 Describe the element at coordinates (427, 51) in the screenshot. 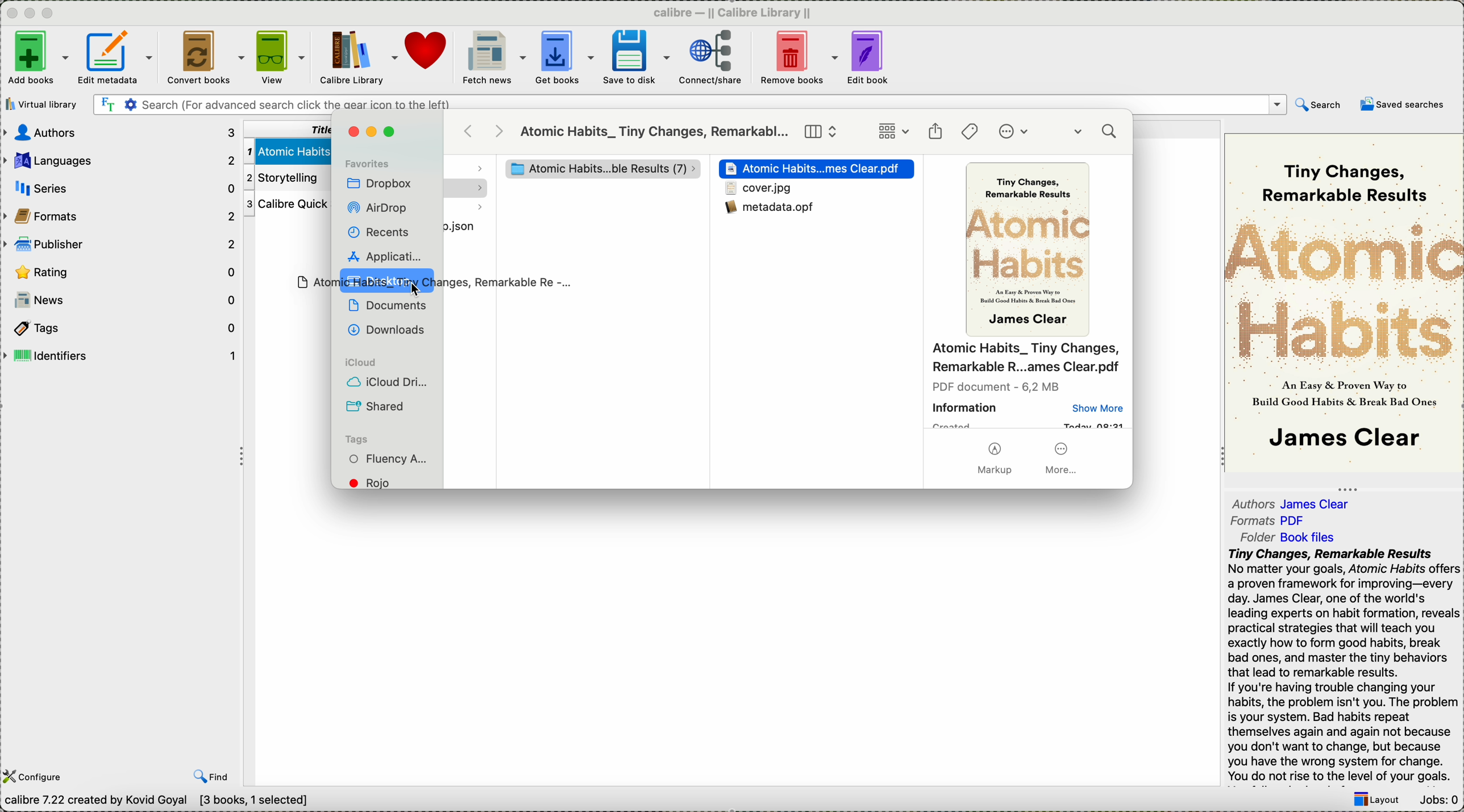

I see `donate` at that location.